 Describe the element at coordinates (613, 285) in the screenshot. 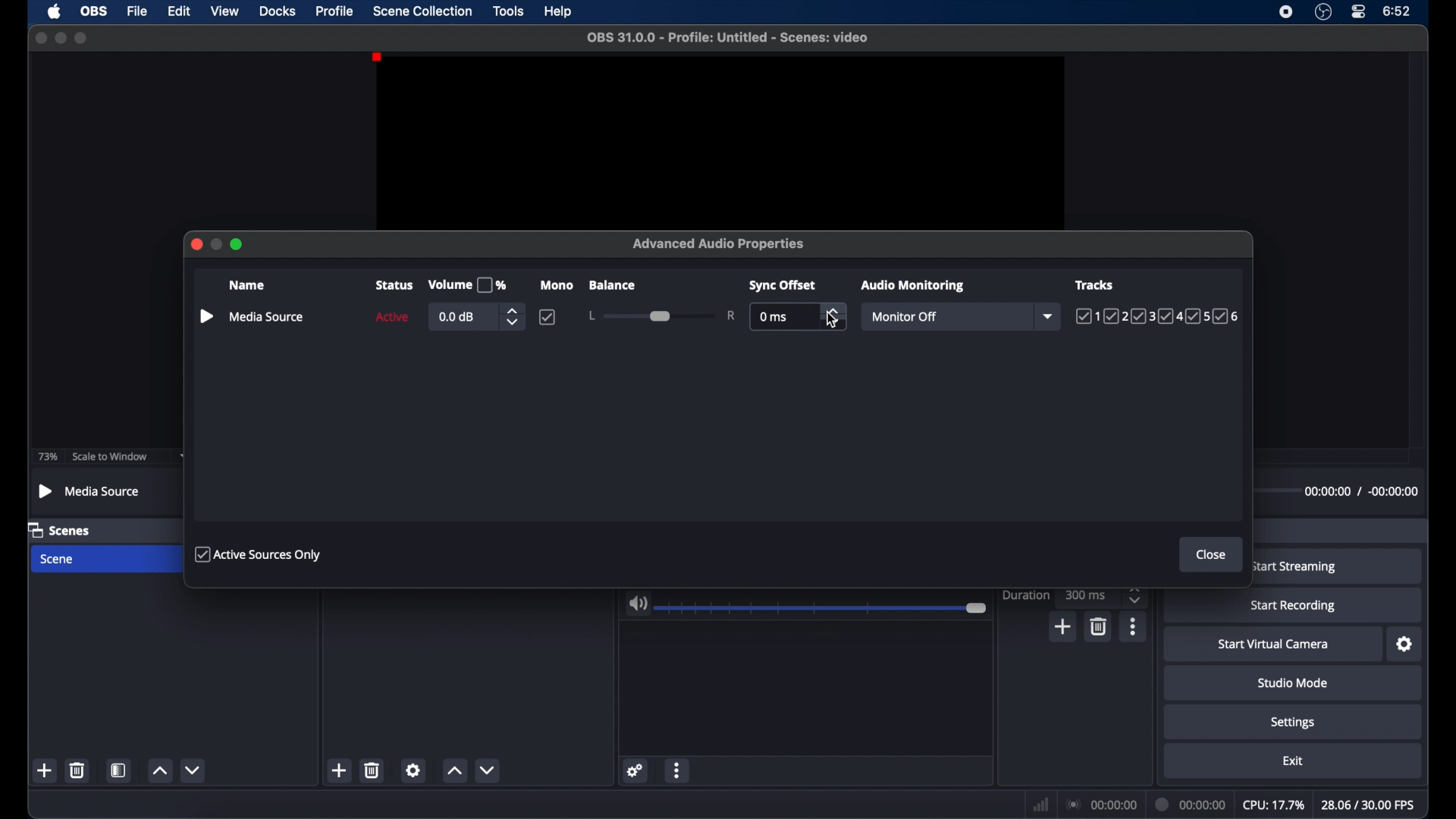

I see `balance` at that location.